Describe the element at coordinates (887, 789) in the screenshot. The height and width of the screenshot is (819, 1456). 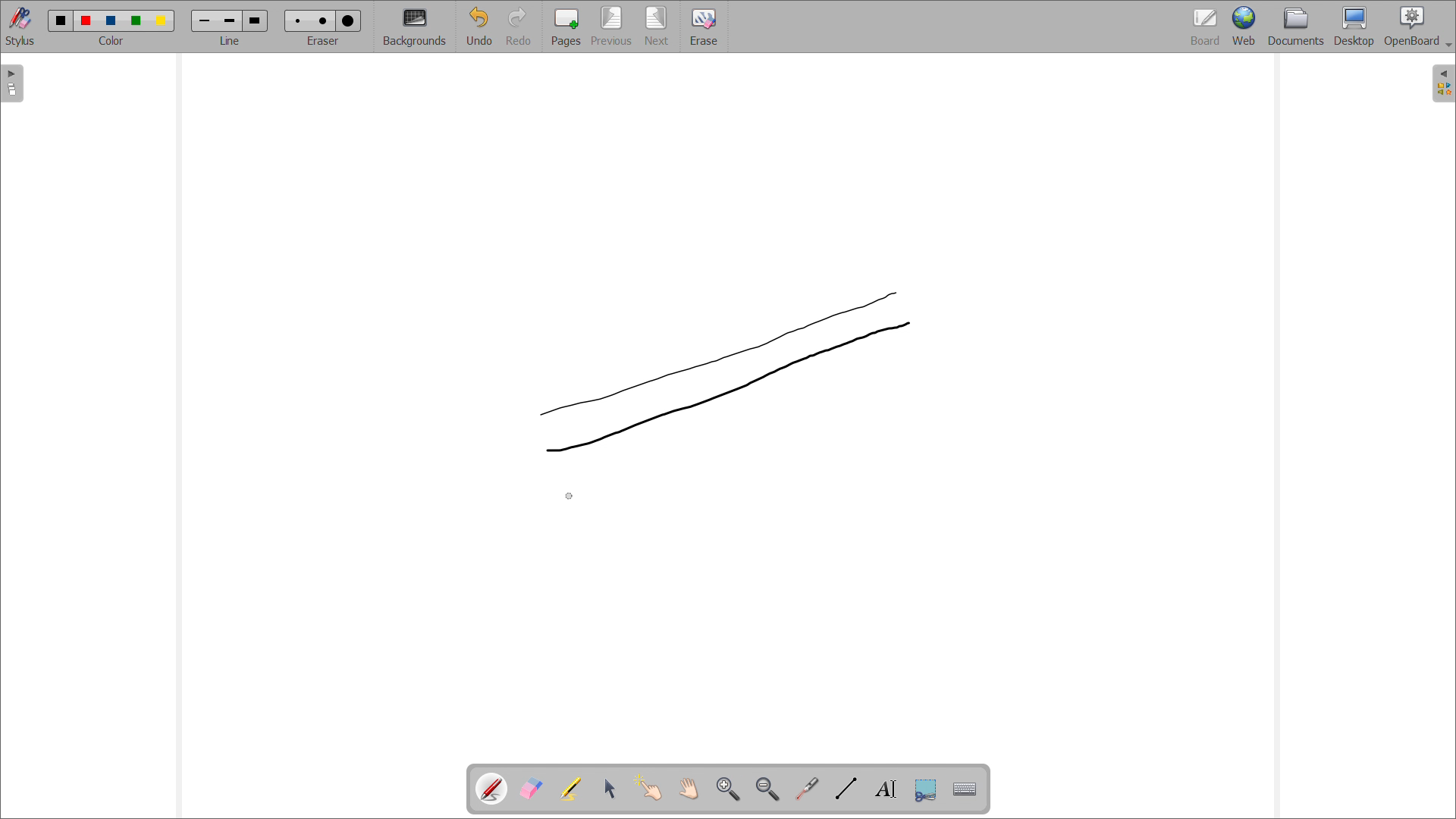
I see `draw text` at that location.